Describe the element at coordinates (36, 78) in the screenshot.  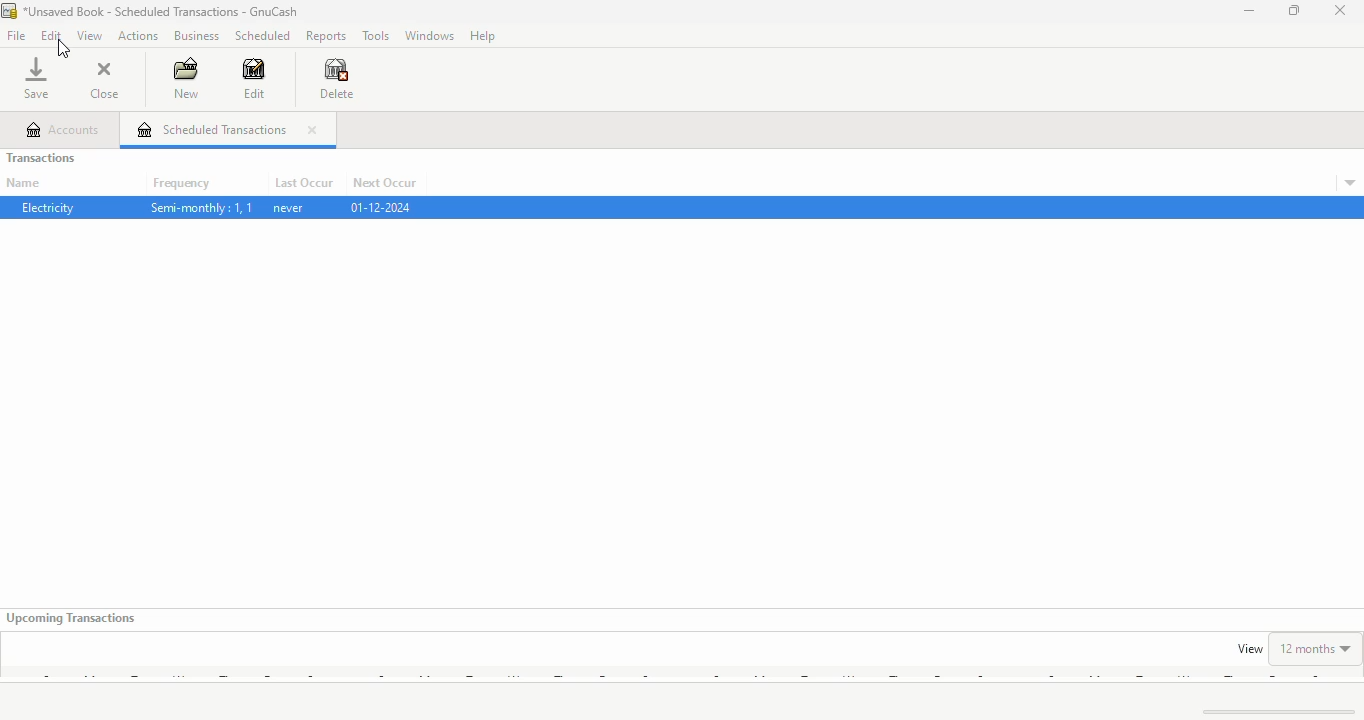
I see `save` at that location.